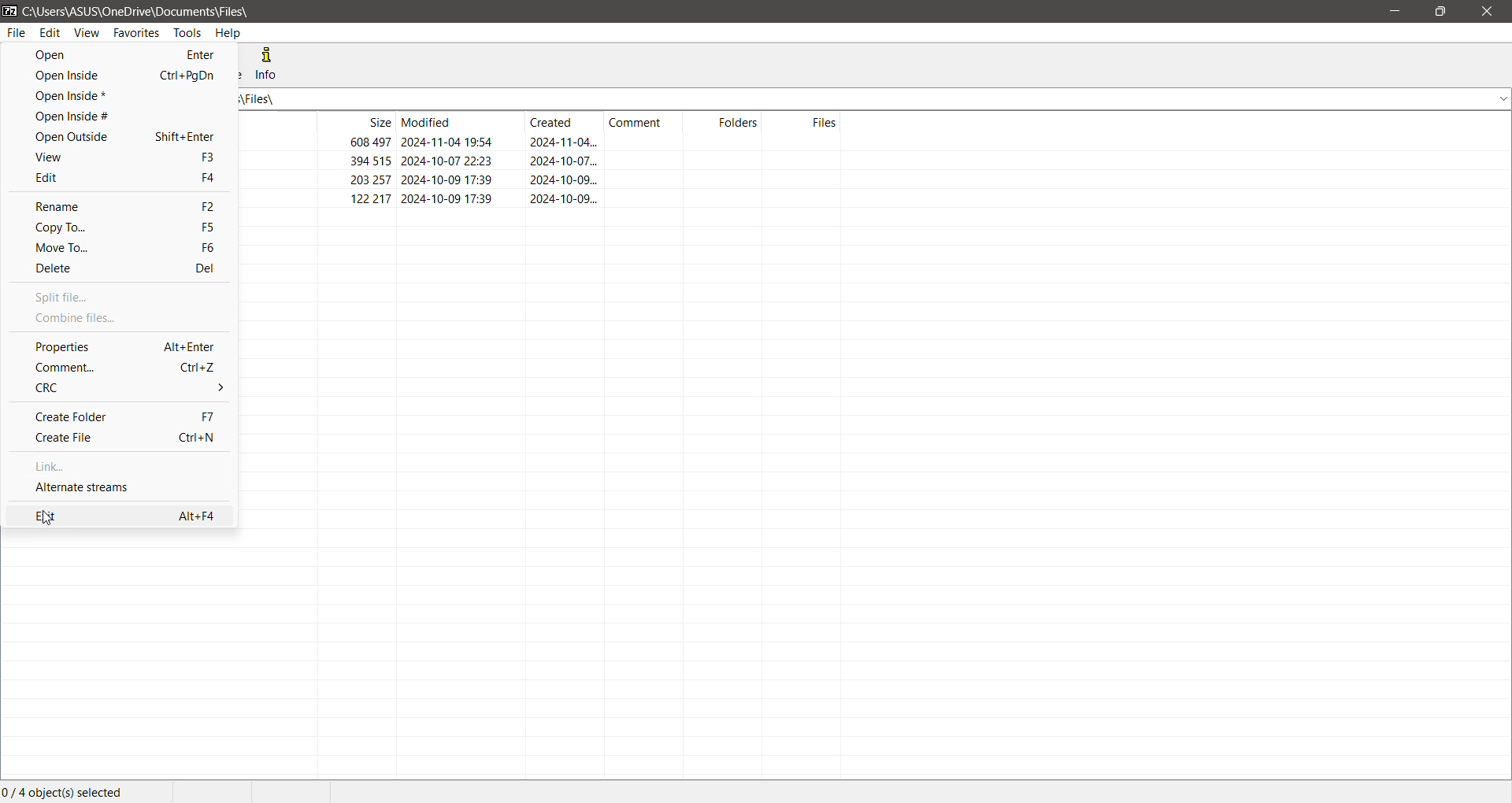 This screenshot has height=803, width=1512. What do you see at coordinates (124, 54) in the screenshot?
I see `Open` at bounding box center [124, 54].